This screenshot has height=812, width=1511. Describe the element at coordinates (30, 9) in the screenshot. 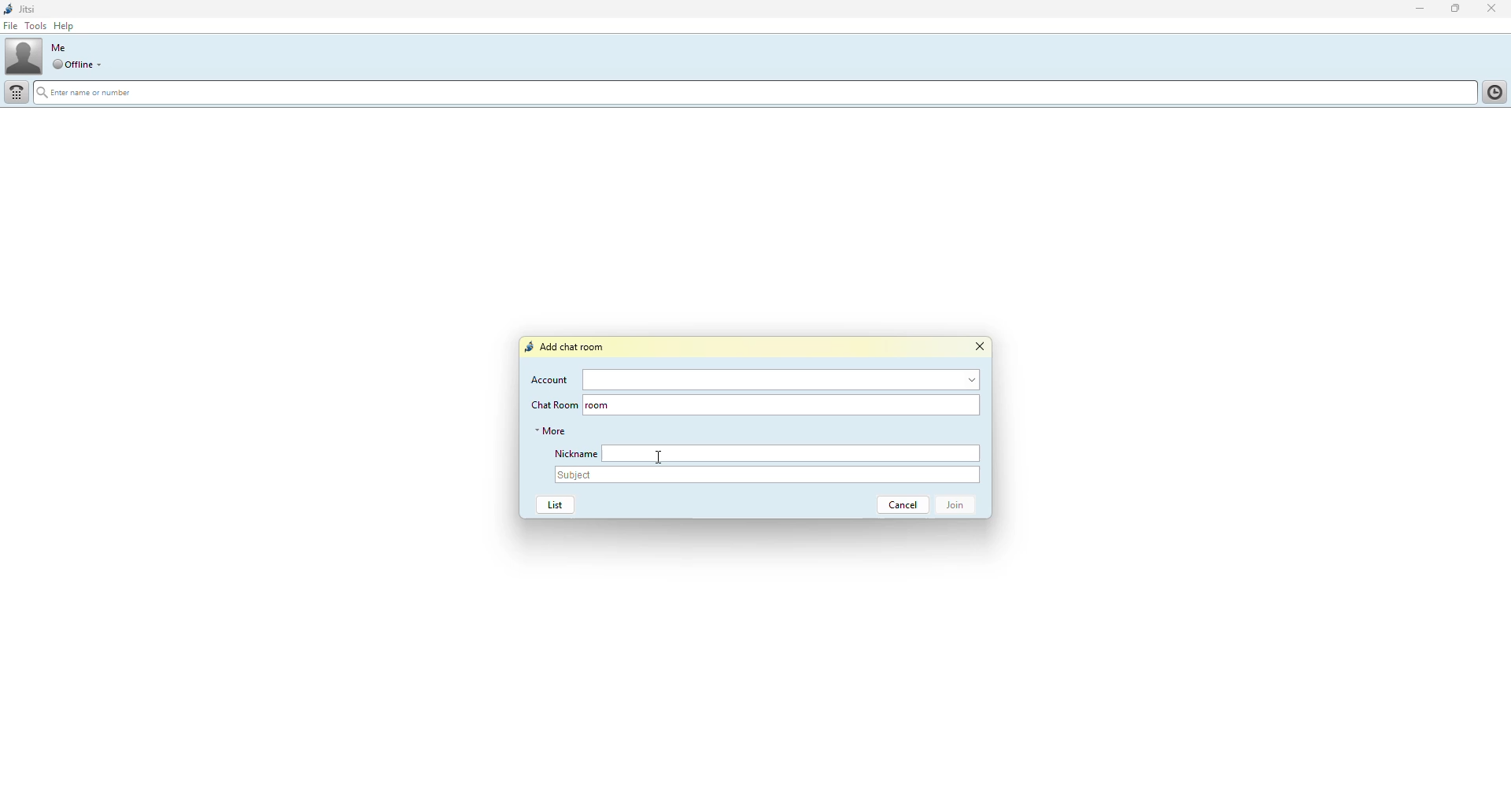

I see `jitsi` at that location.